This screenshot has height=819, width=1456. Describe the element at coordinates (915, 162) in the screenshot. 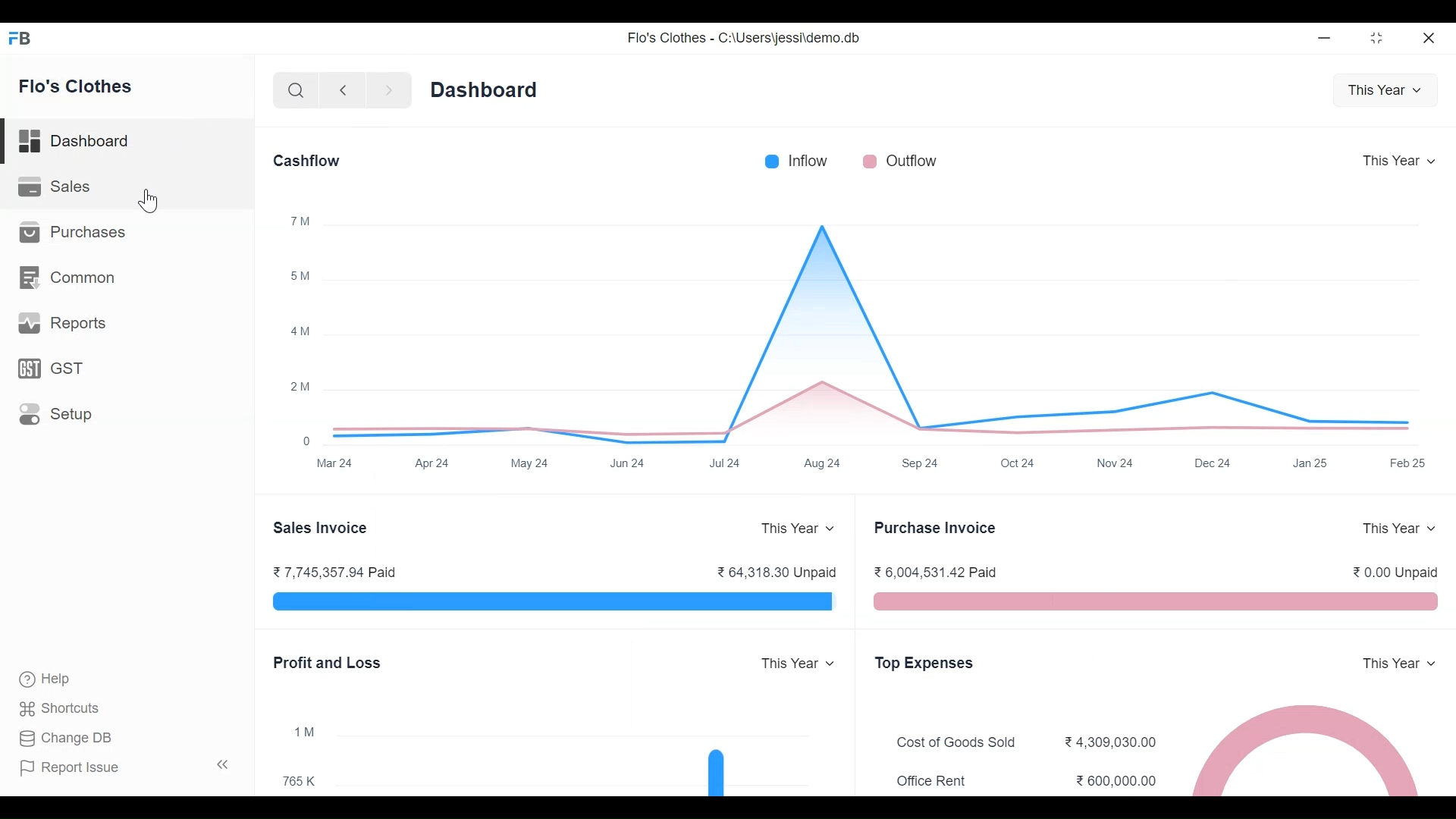

I see `Outflow` at that location.